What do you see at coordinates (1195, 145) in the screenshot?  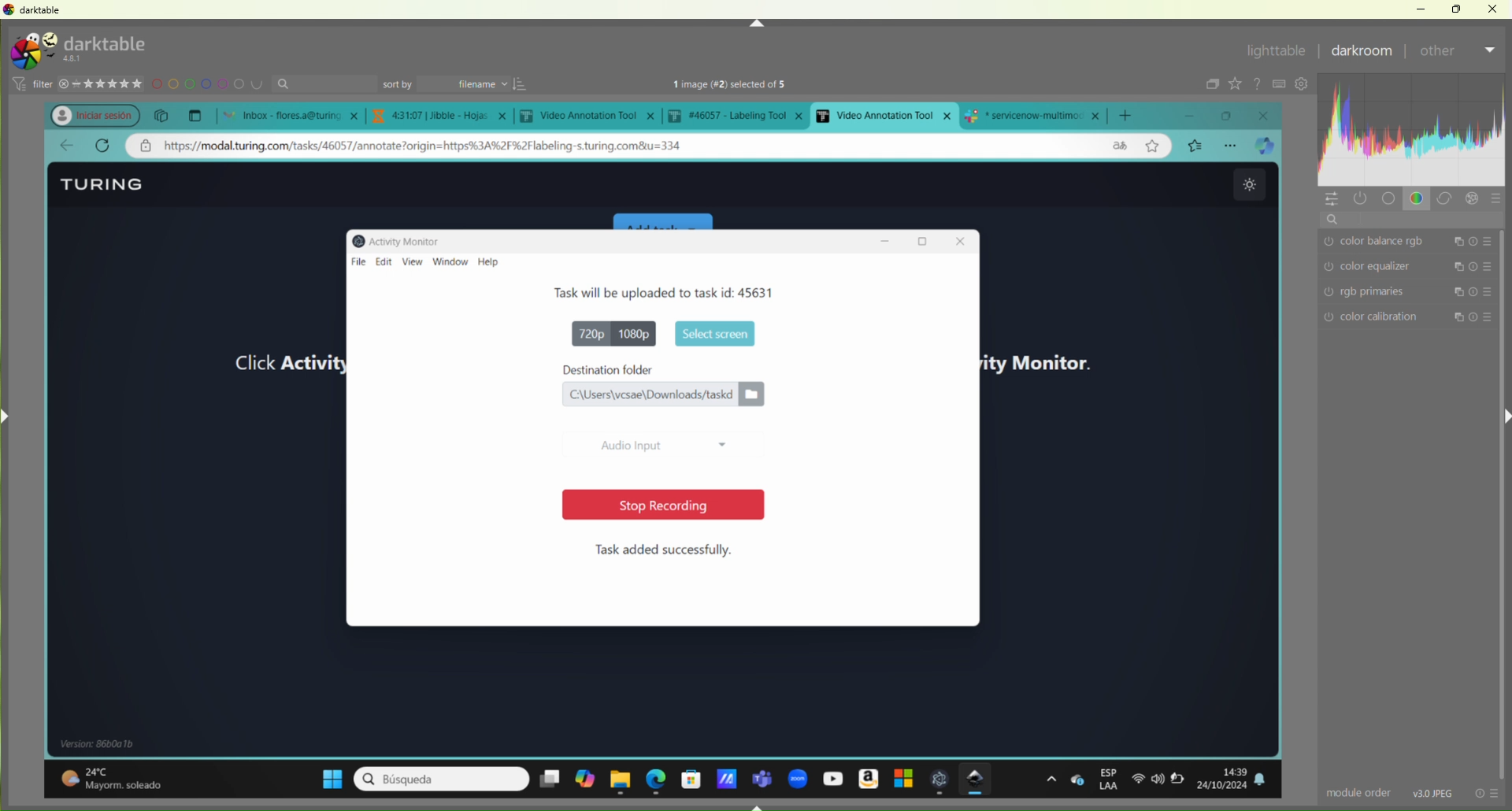 I see `bookmarks` at bounding box center [1195, 145].